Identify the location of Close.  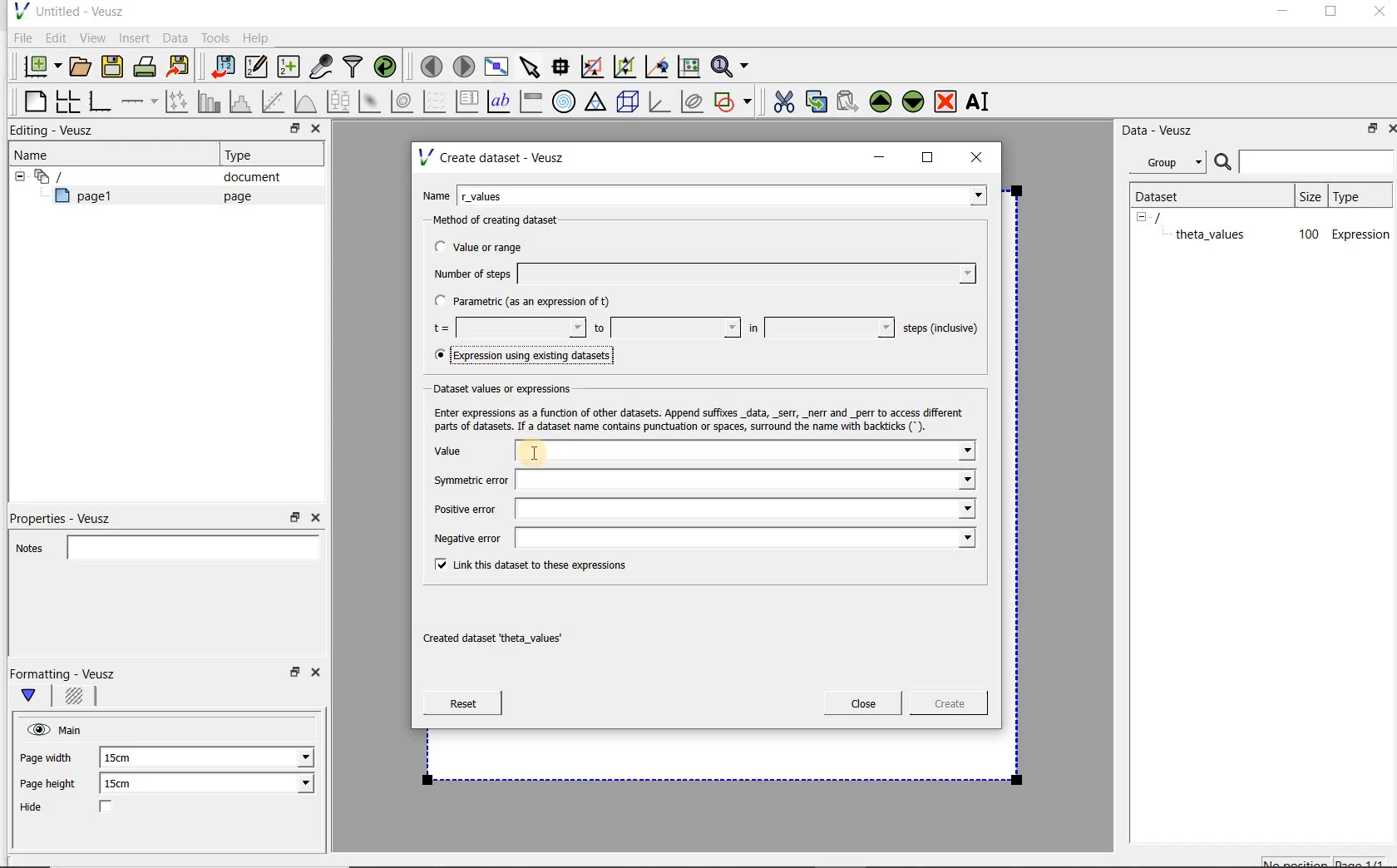
(314, 518).